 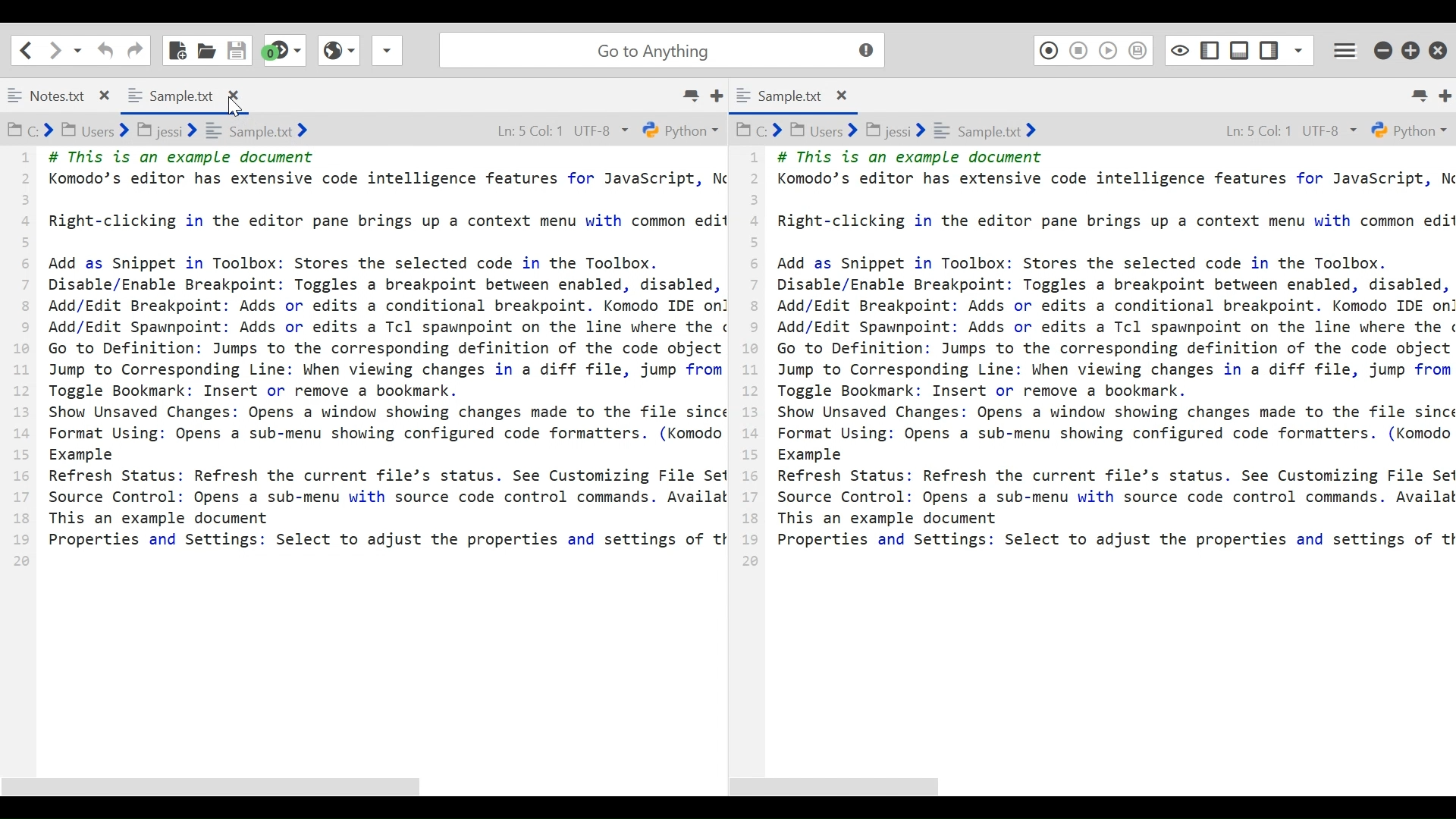 I want to click on Restore, so click(x=1412, y=51).